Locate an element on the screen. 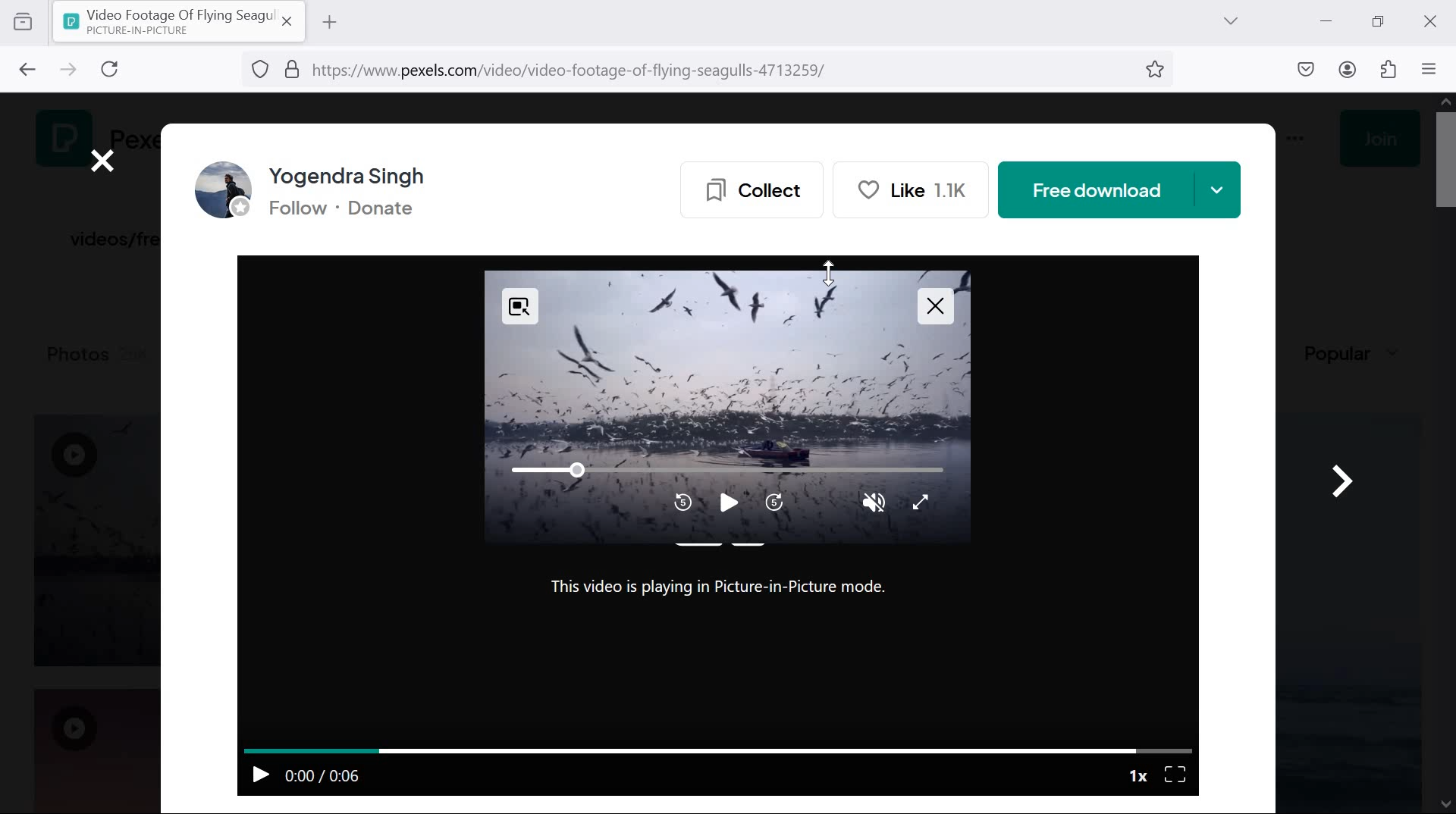 The image size is (1456, 814). list all tabs is located at coordinates (1230, 21).